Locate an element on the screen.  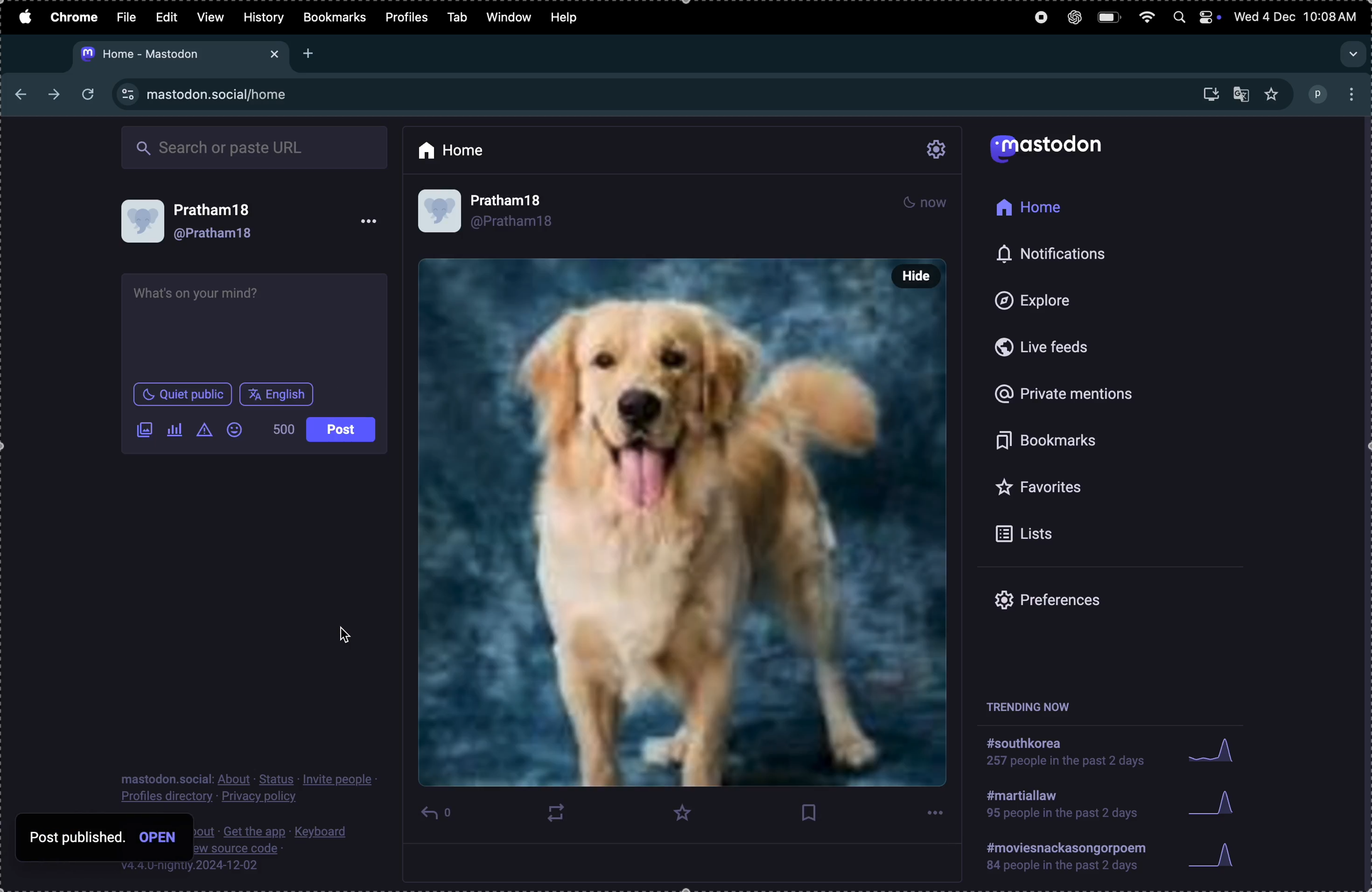
night mode is located at coordinates (929, 201).